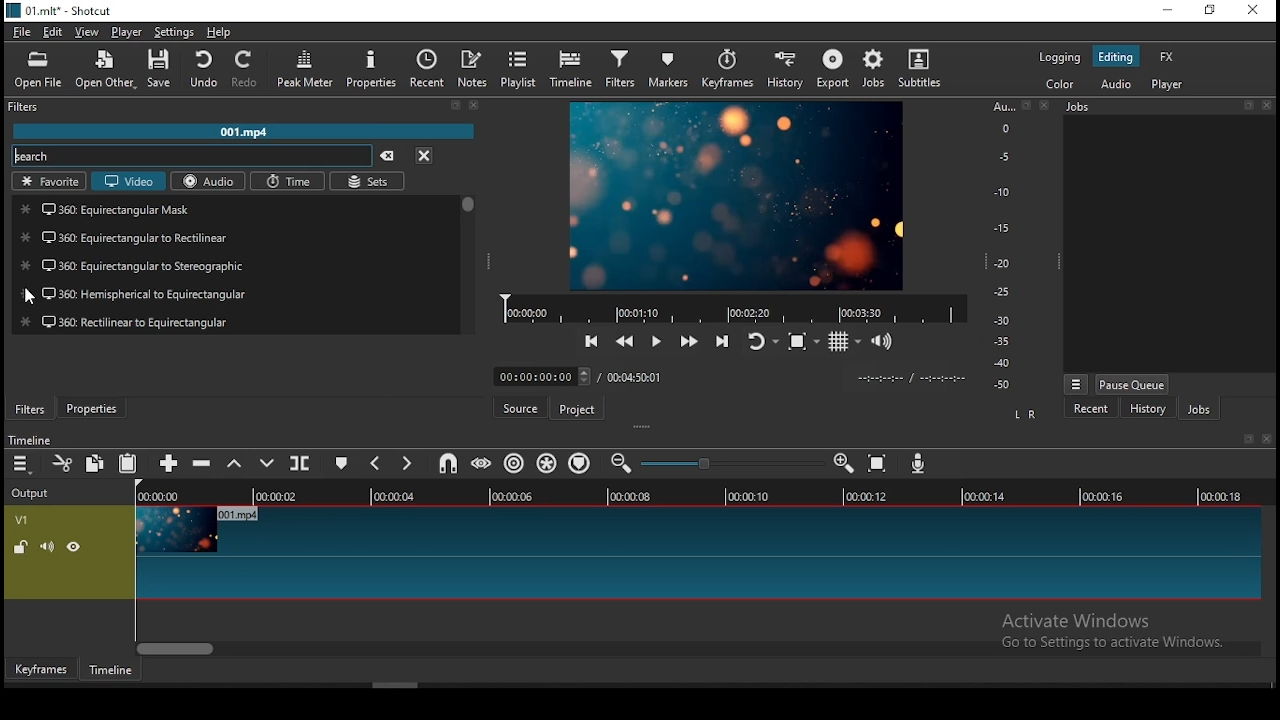 This screenshot has height=720, width=1280. What do you see at coordinates (1053, 264) in the screenshot?
I see `drag` at bounding box center [1053, 264].